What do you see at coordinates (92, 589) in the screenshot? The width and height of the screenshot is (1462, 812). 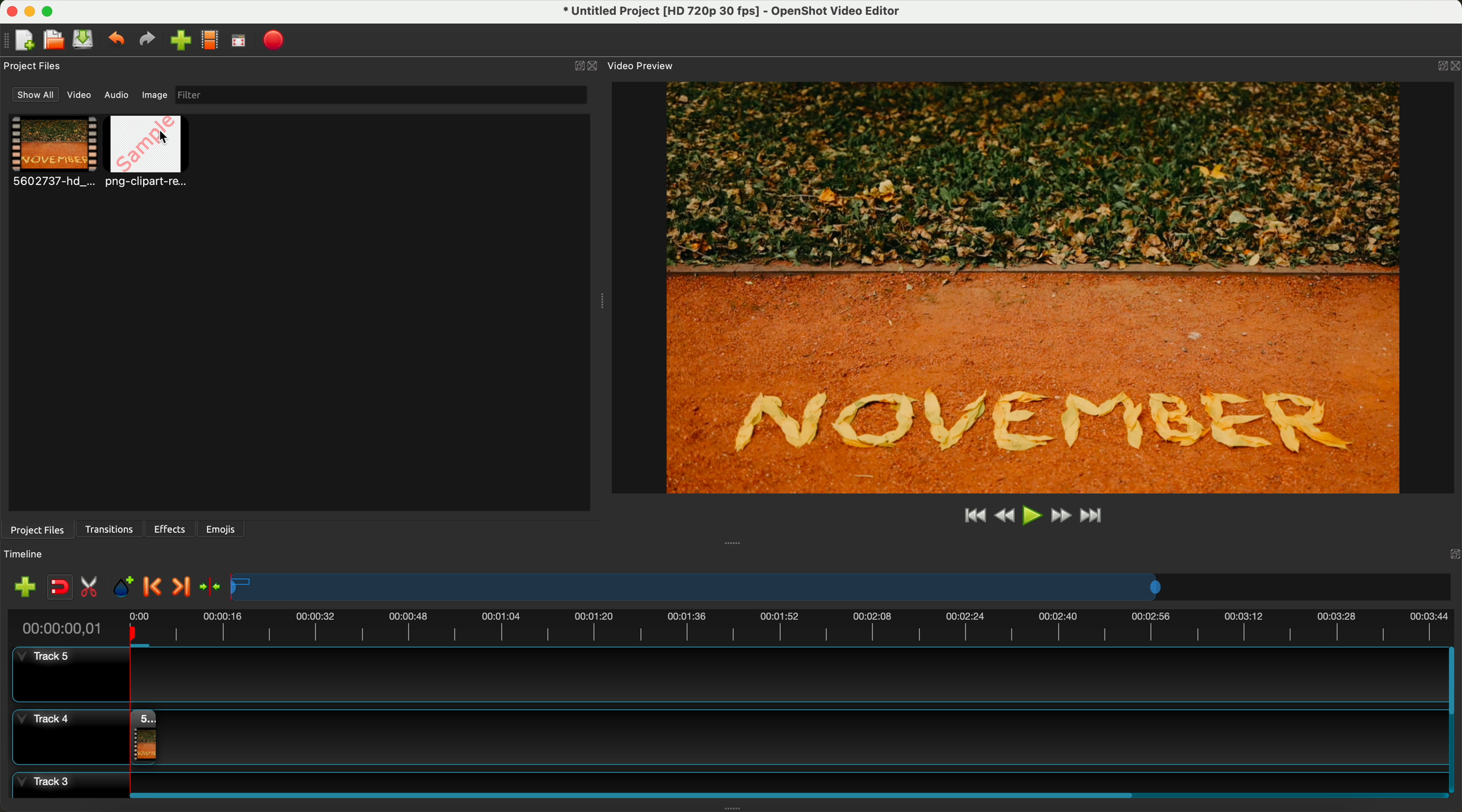 I see `enable razor` at bounding box center [92, 589].